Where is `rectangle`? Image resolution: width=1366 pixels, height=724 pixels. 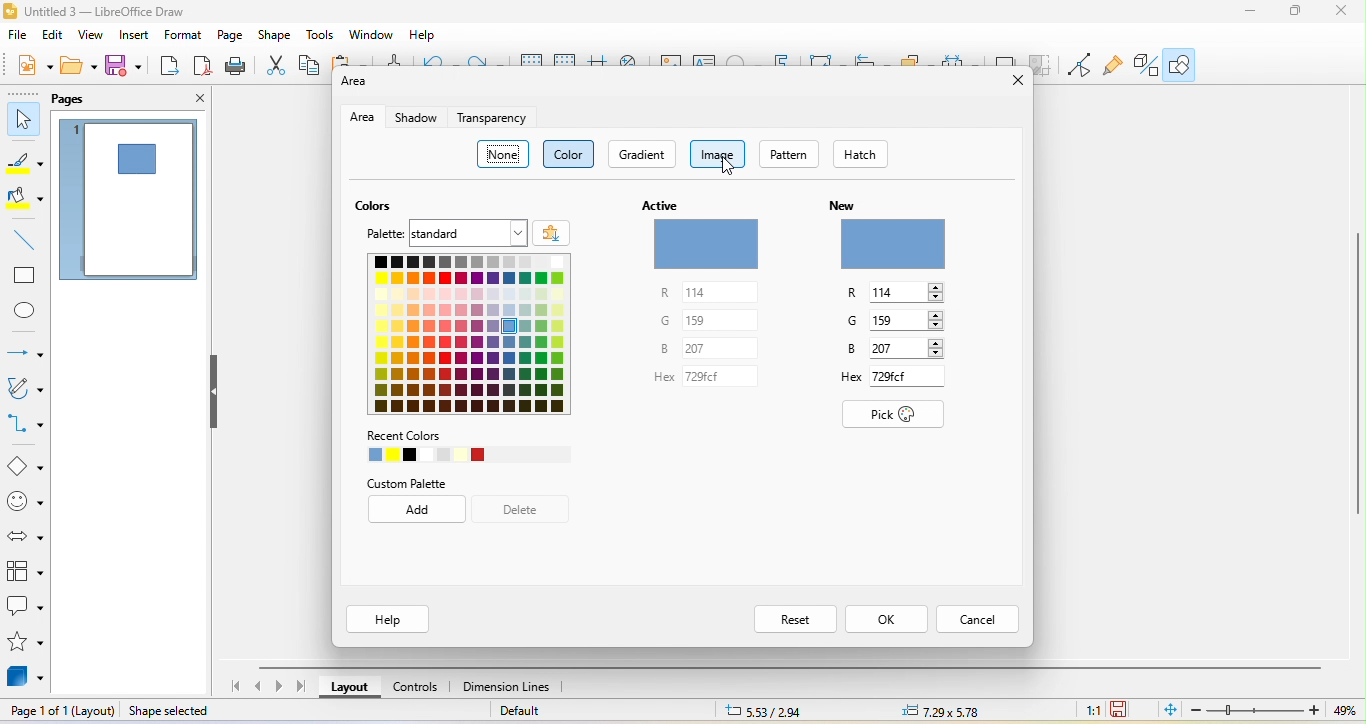 rectangle is located at coordinates (24, 276).